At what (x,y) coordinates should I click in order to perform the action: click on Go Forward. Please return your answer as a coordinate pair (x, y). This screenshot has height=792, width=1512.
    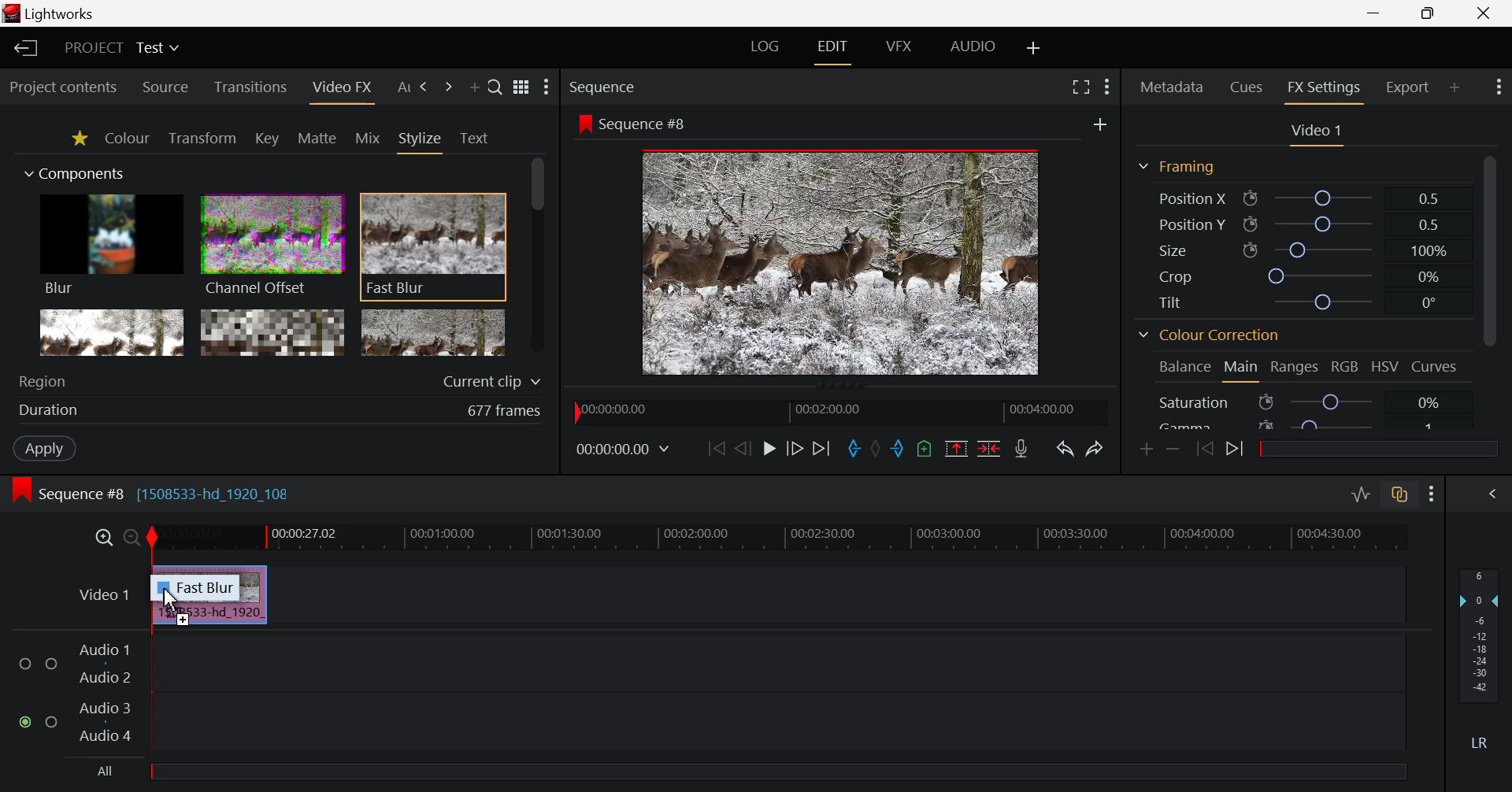
    Looking at the image, I should click on (798, 451).